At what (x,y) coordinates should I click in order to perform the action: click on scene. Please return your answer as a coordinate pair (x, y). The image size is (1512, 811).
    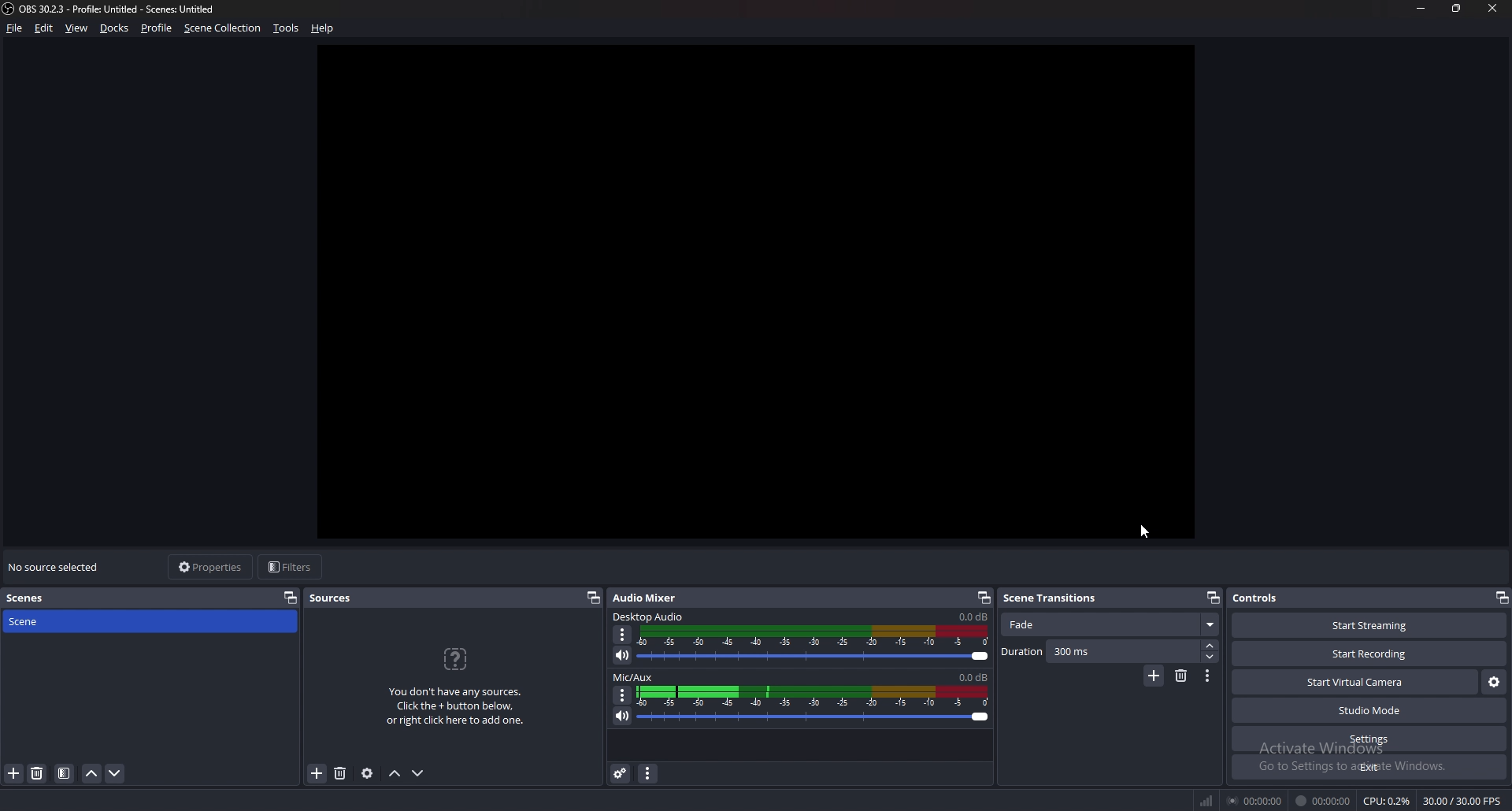
    Looking at the image, I should click on (37, 622).